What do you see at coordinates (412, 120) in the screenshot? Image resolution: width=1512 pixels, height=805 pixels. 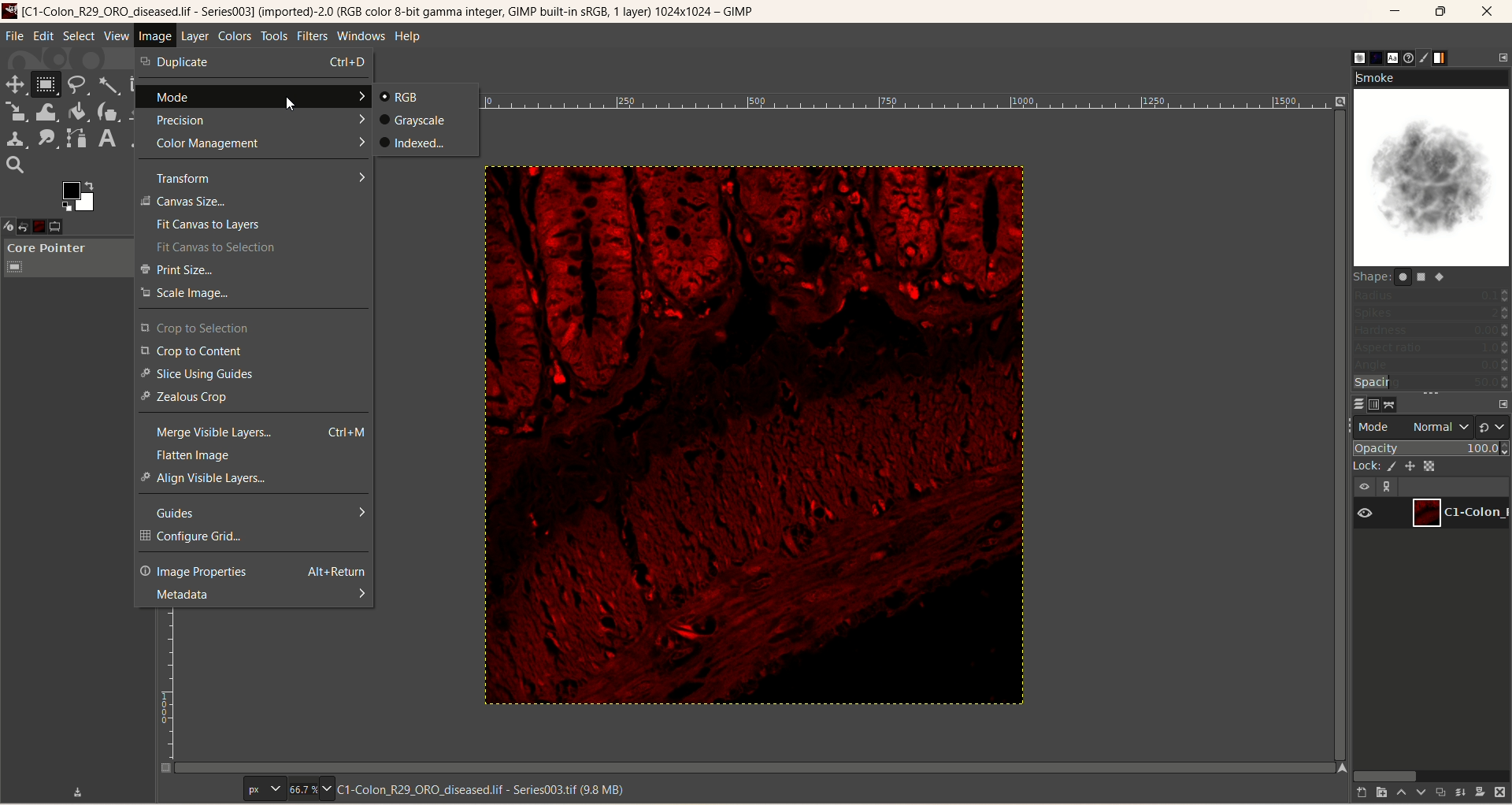 I see `greyscale` at bounding box center [412, 120].